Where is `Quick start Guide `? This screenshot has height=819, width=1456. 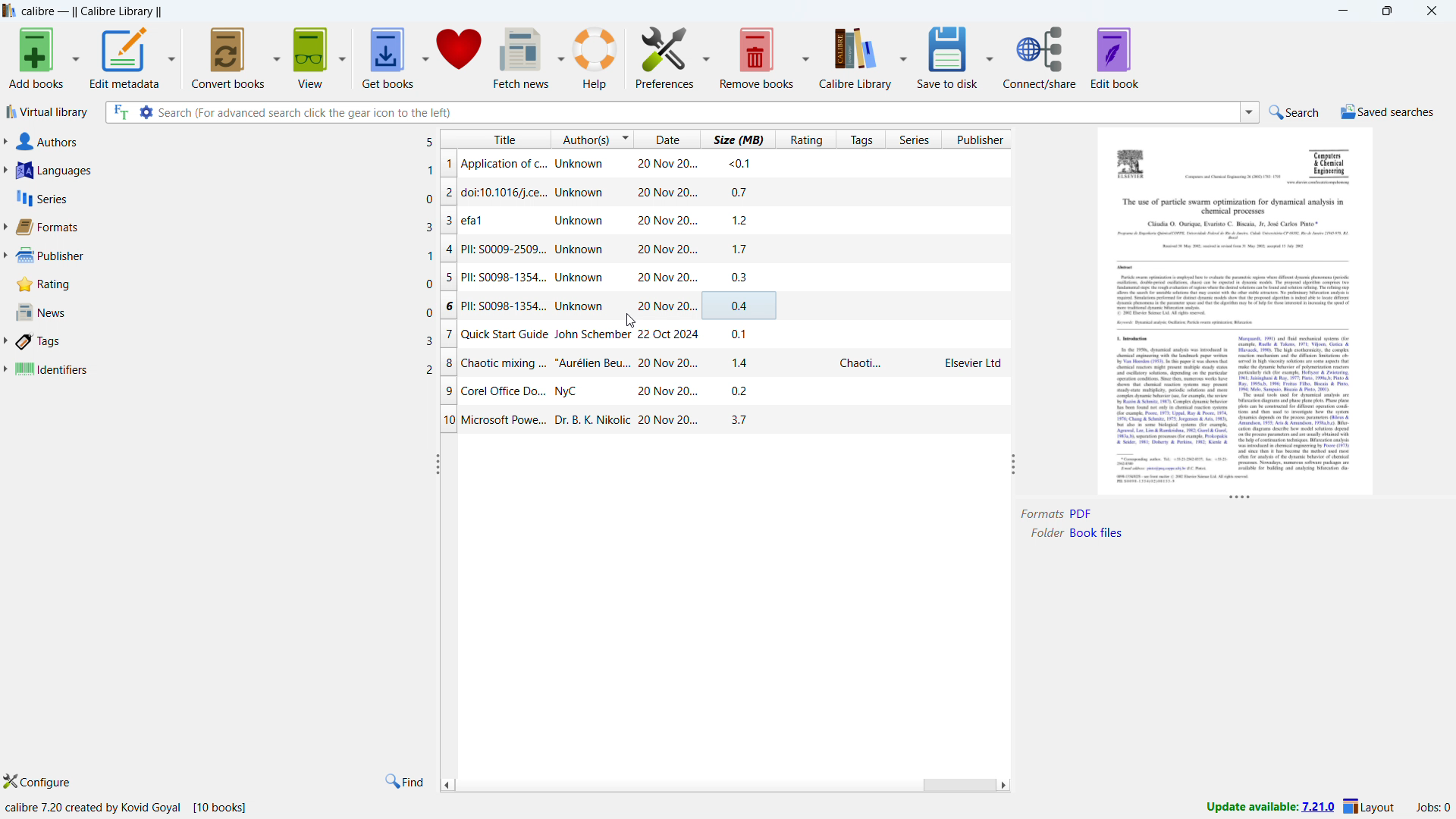 Quick start Guide  is located at coordinates (729, 334).